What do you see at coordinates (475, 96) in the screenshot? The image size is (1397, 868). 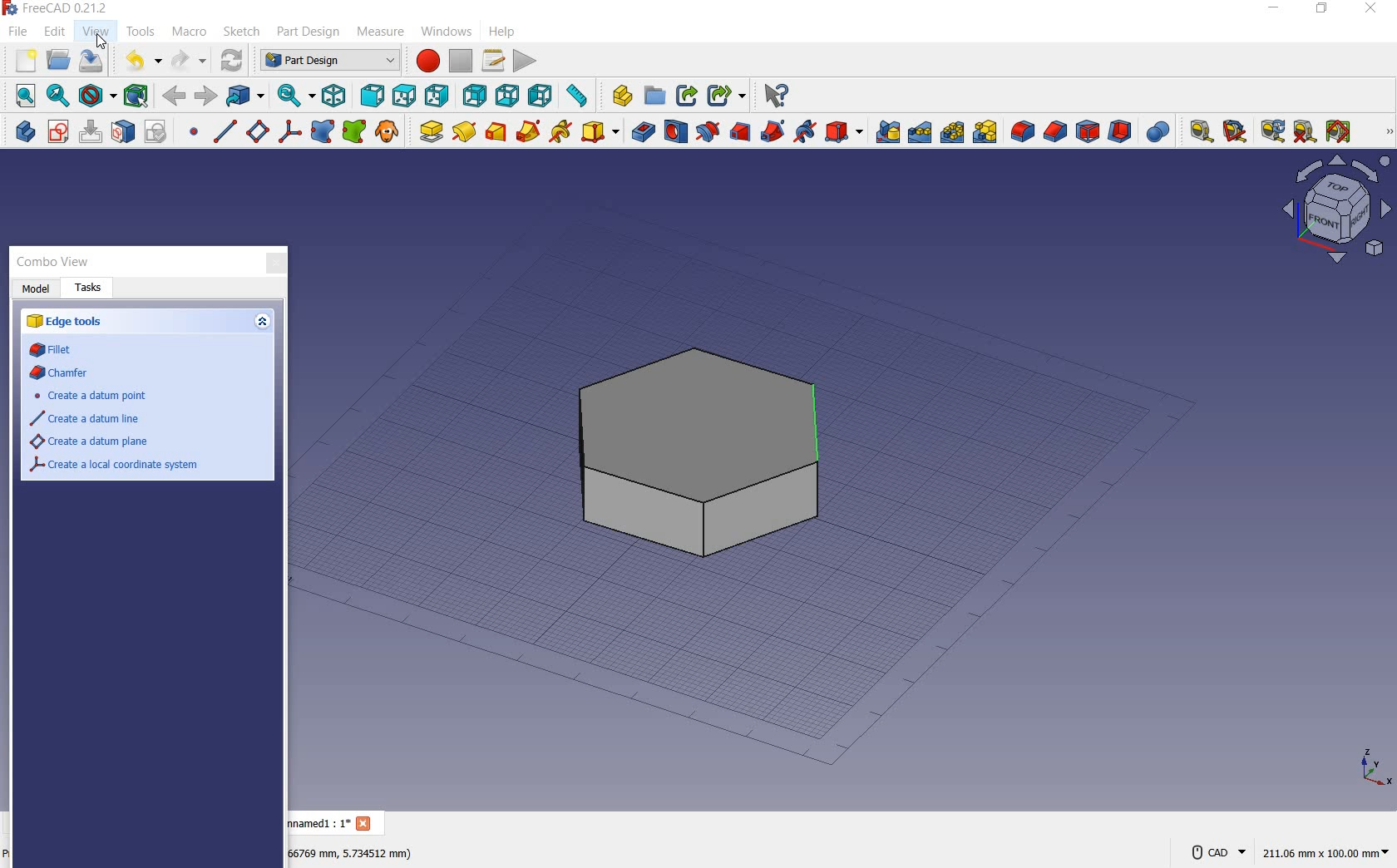 I see `rear` at bounding box center [475, 96].